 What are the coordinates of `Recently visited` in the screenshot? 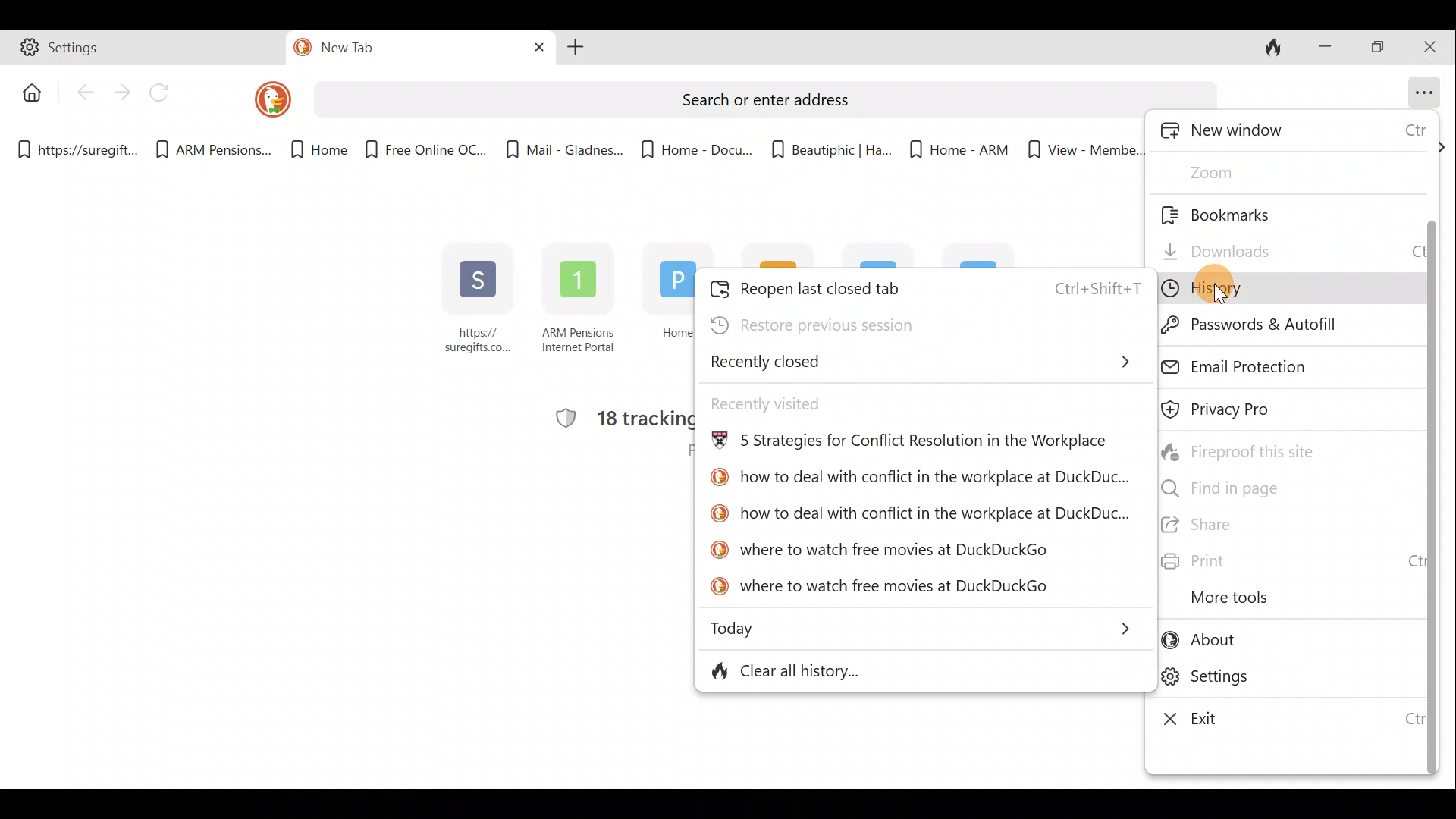 It's located at (804, 402).